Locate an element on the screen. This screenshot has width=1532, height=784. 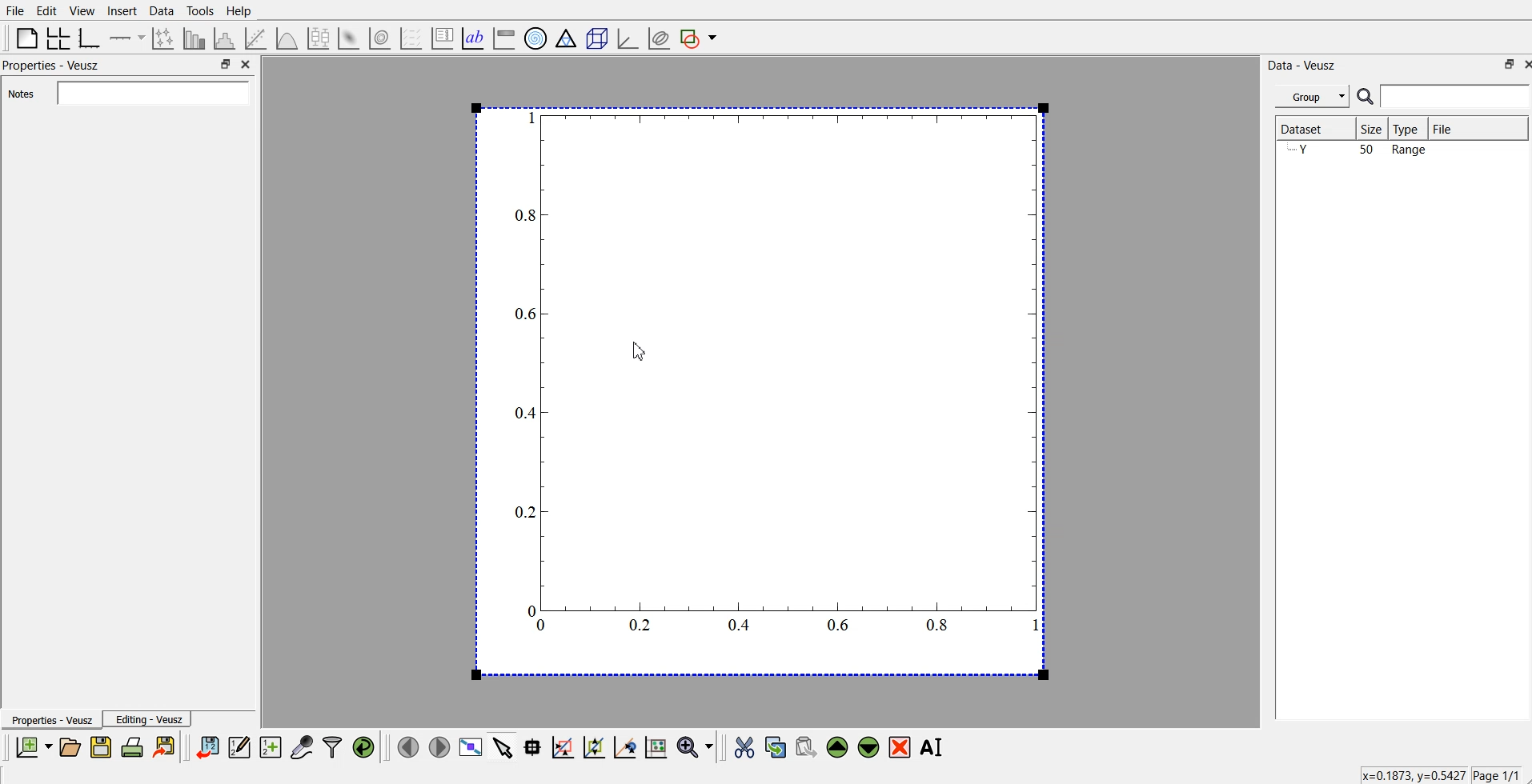
read the data points is located at coordinates (535, 749).